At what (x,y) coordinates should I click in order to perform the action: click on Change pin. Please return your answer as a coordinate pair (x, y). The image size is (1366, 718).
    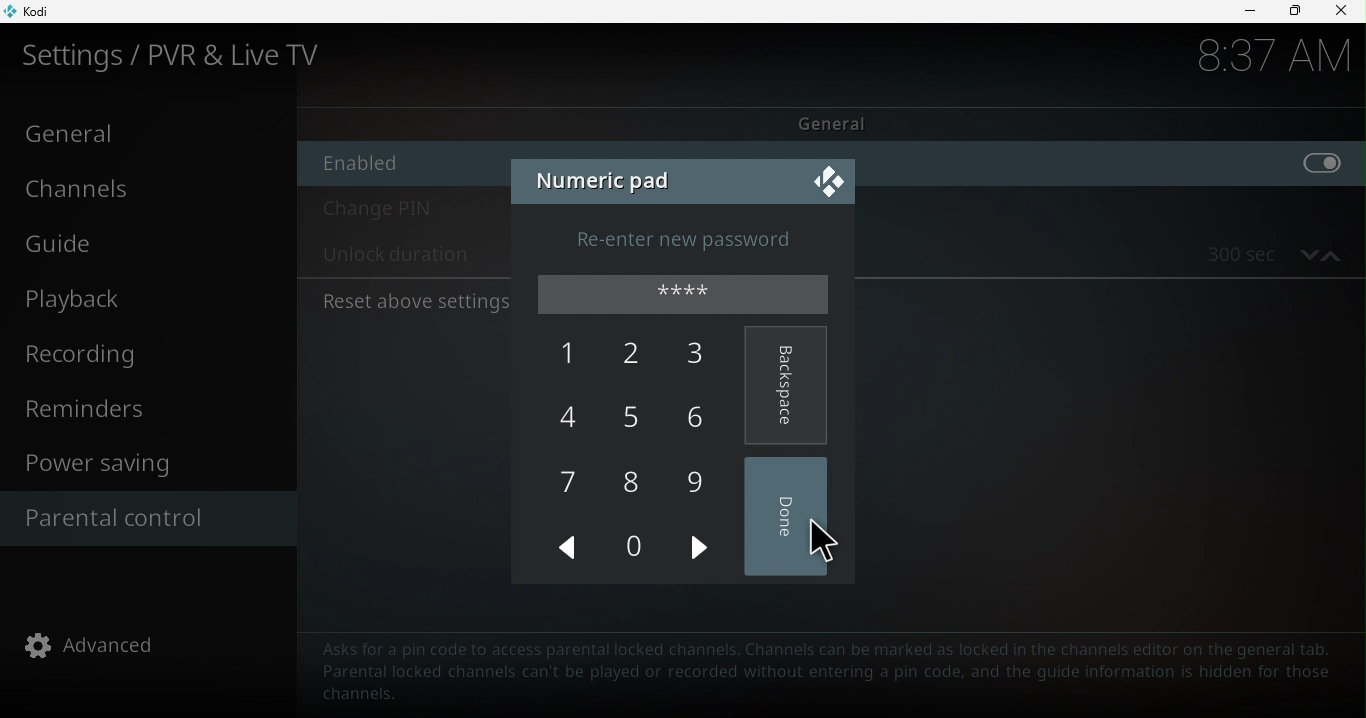
    Looking at the image, I should click on (405, 212).